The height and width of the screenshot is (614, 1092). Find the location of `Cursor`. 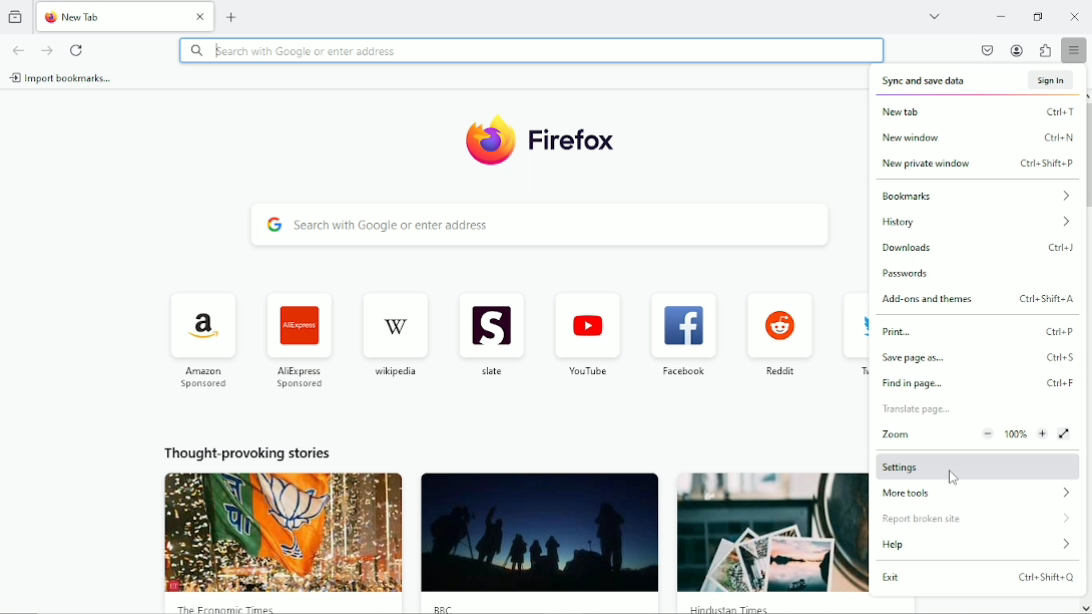

Cursor is located at coordinates (954, 478).